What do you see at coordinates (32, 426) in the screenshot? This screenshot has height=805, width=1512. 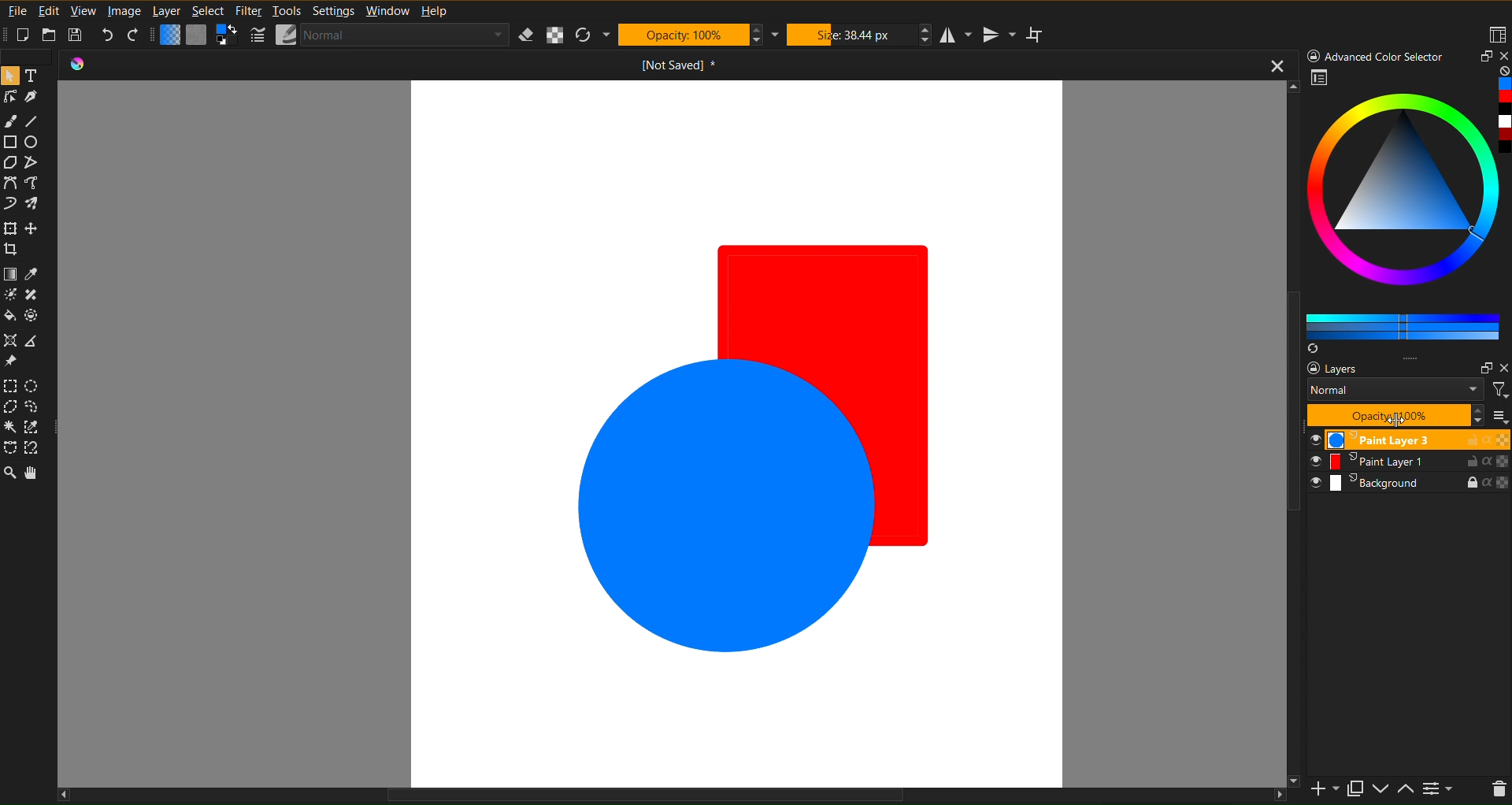 I see `Selection Tool` at bounding box center [32, 426].